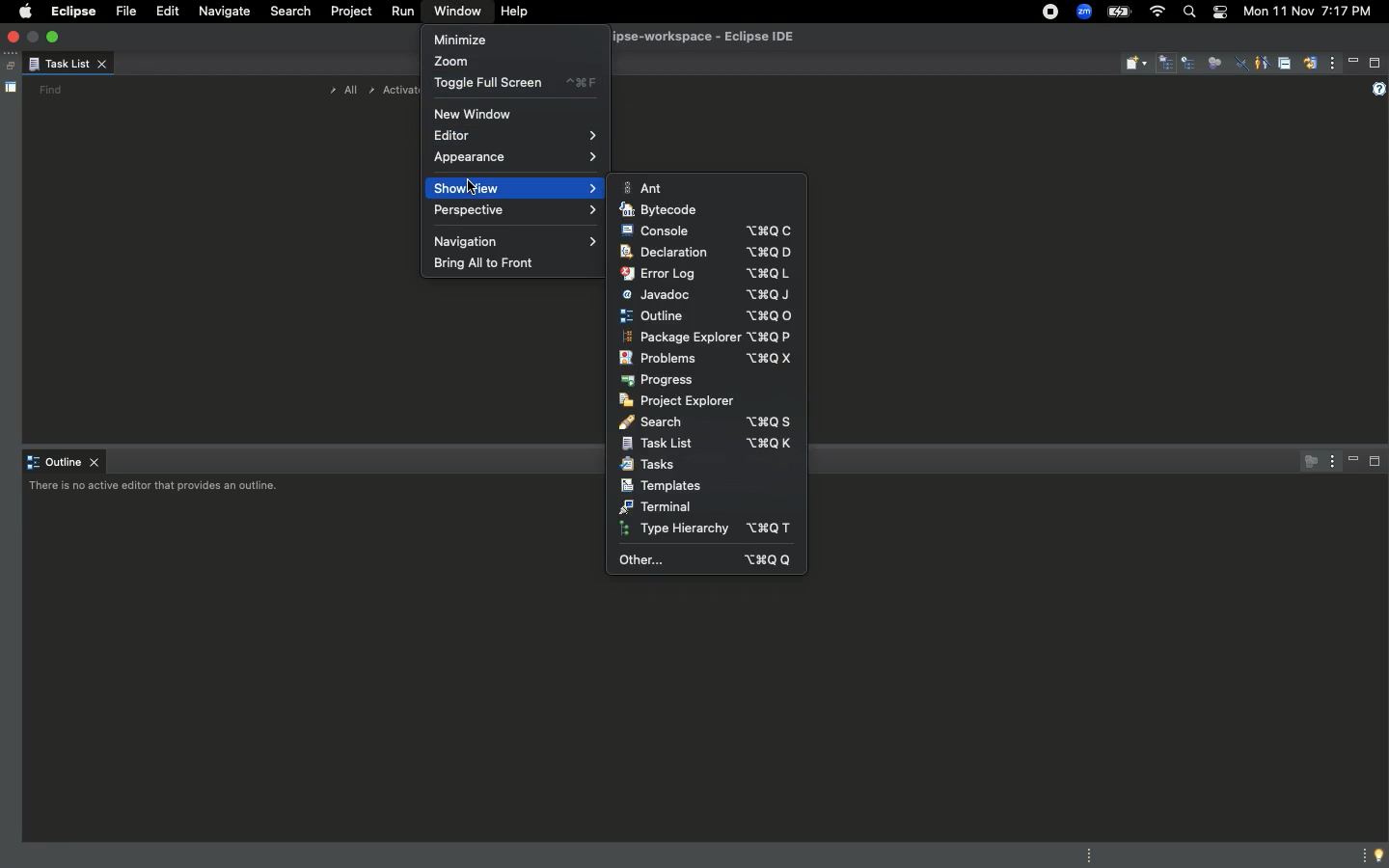 This screenshot has height=868, width=1389. I want to click on Editor, so click(511, 136).